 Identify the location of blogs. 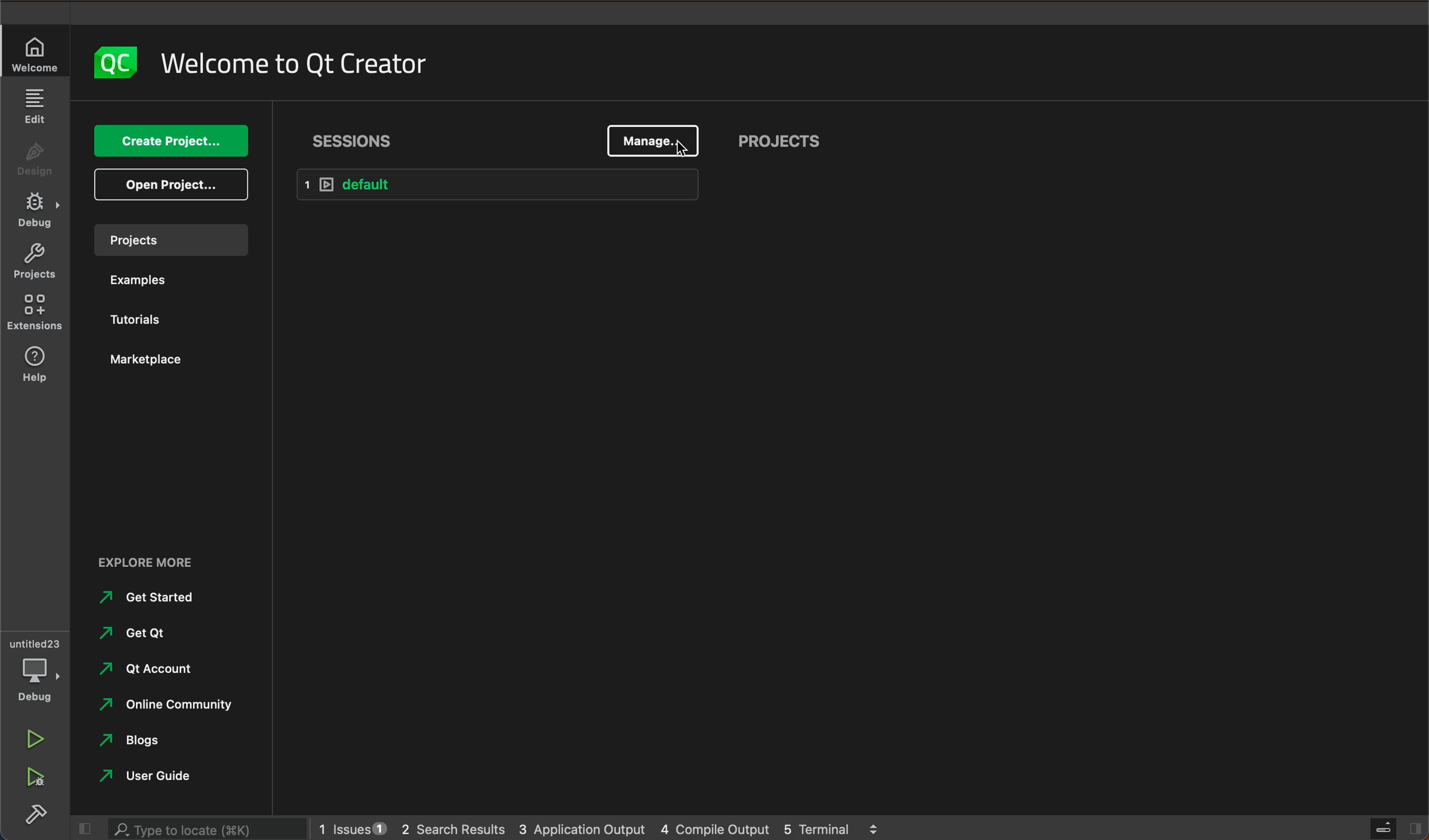
(136, 741).